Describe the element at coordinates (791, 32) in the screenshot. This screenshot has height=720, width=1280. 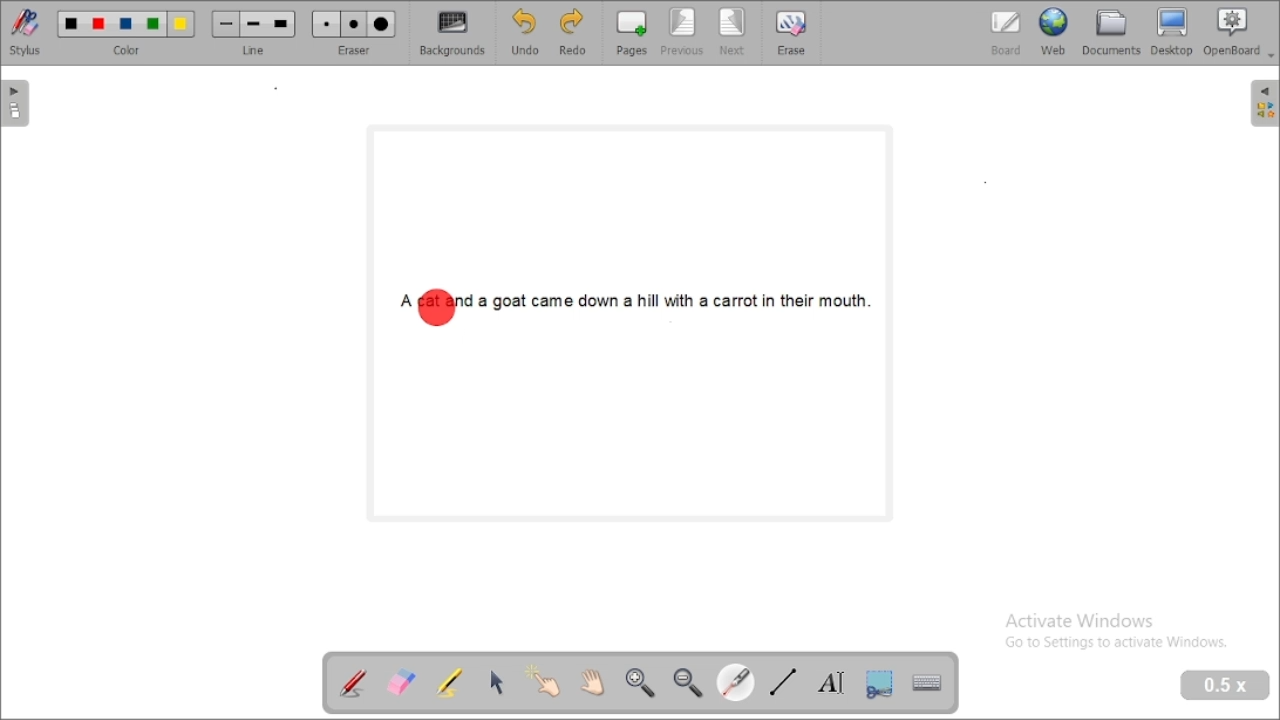
I see `erase` at that location.